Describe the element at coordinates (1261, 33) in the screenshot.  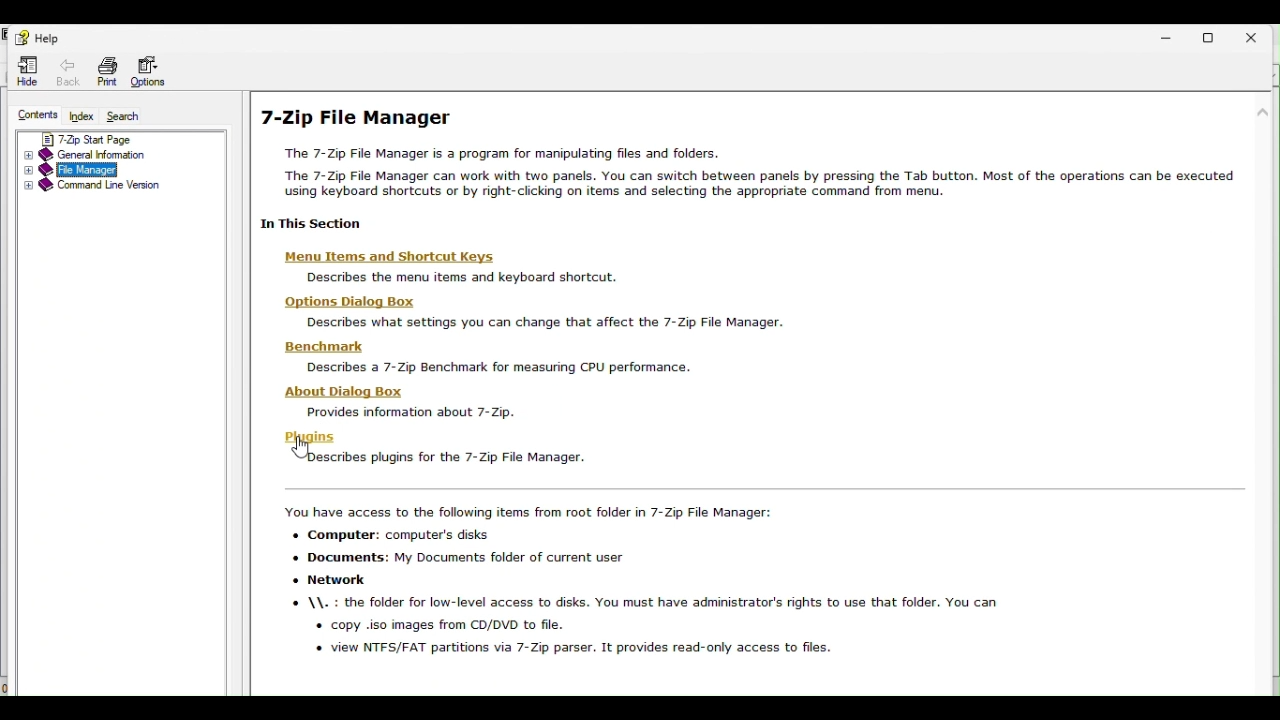
I see `Close` at that location.